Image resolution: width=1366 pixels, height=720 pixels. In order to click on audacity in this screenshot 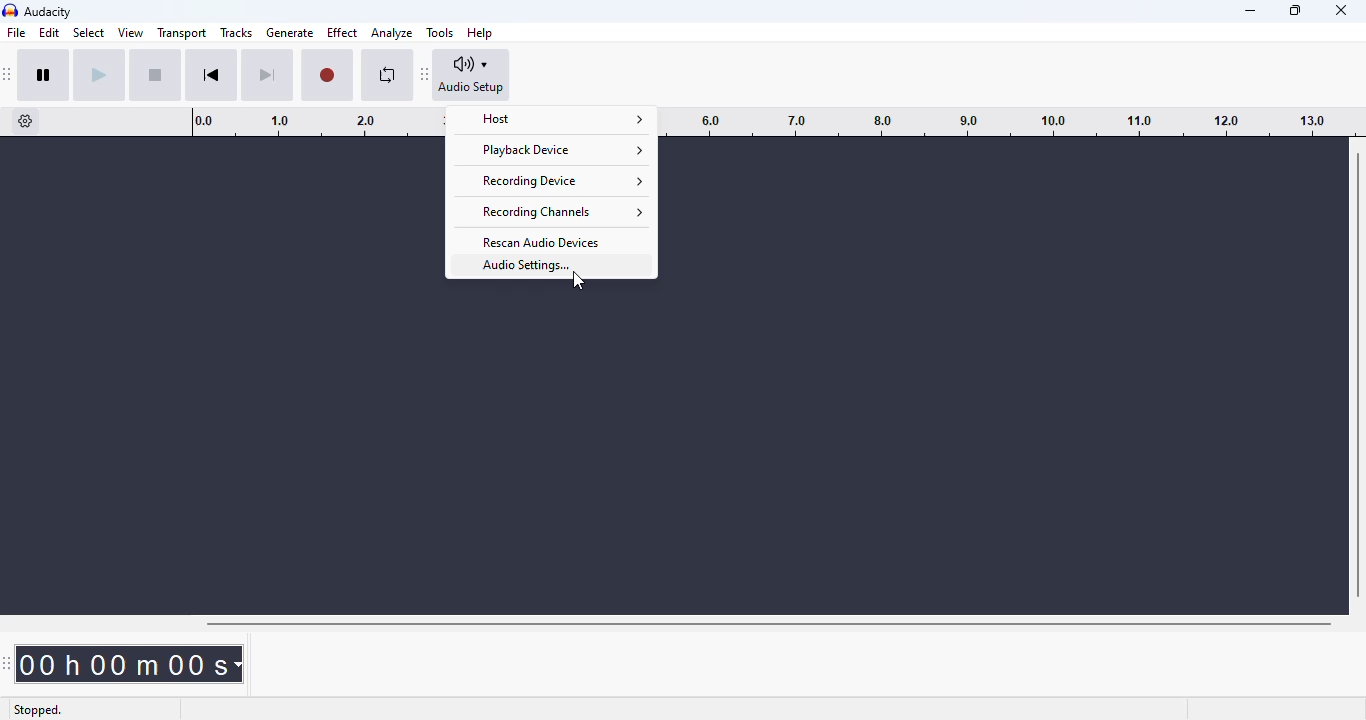, I will do `click(49, 12)`.